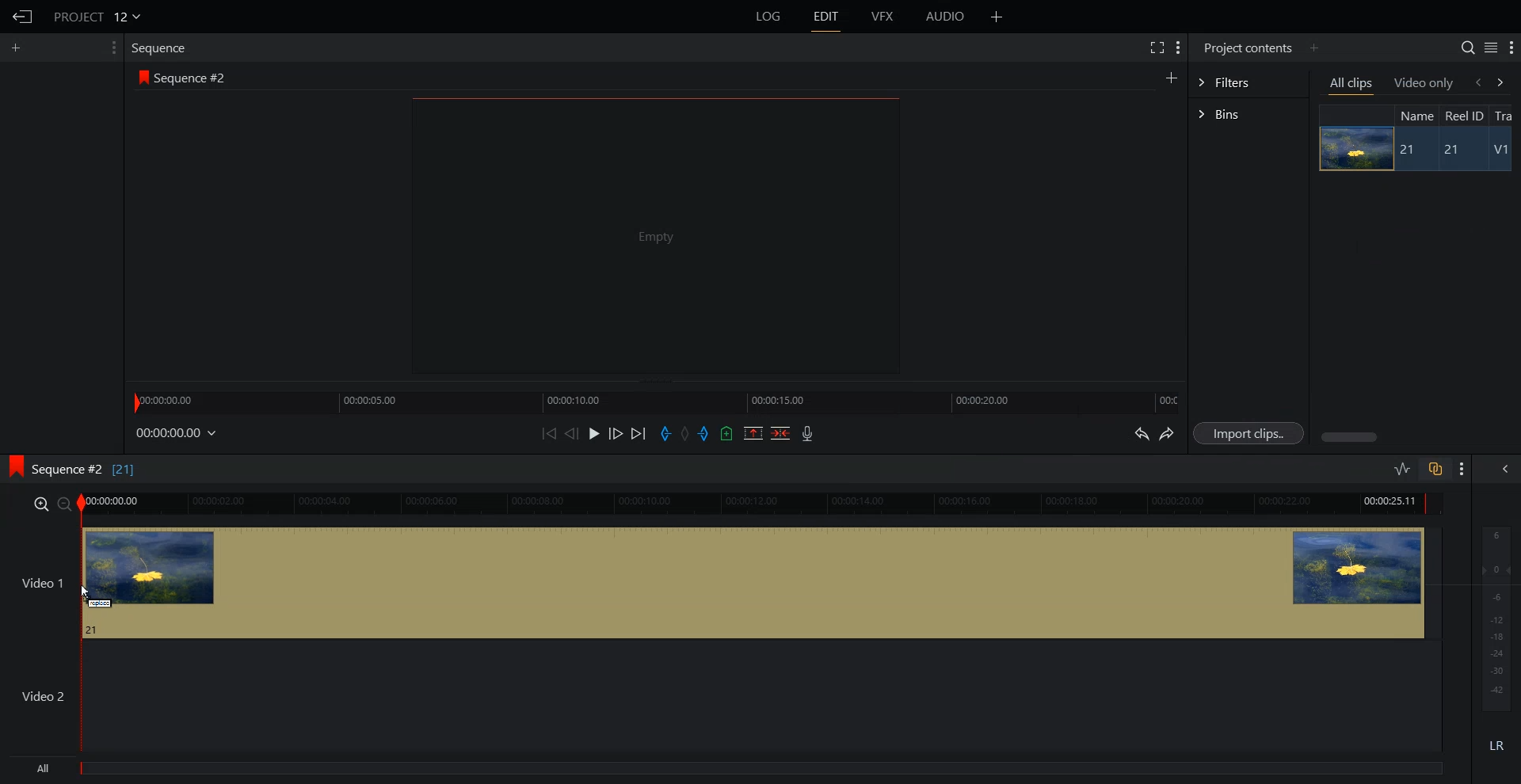 This screenshot has height=784, width=1521. What do you see at coordinates (1248, 114) in the screenshot?
I see `Bins` at bounding box center [1248, 114].